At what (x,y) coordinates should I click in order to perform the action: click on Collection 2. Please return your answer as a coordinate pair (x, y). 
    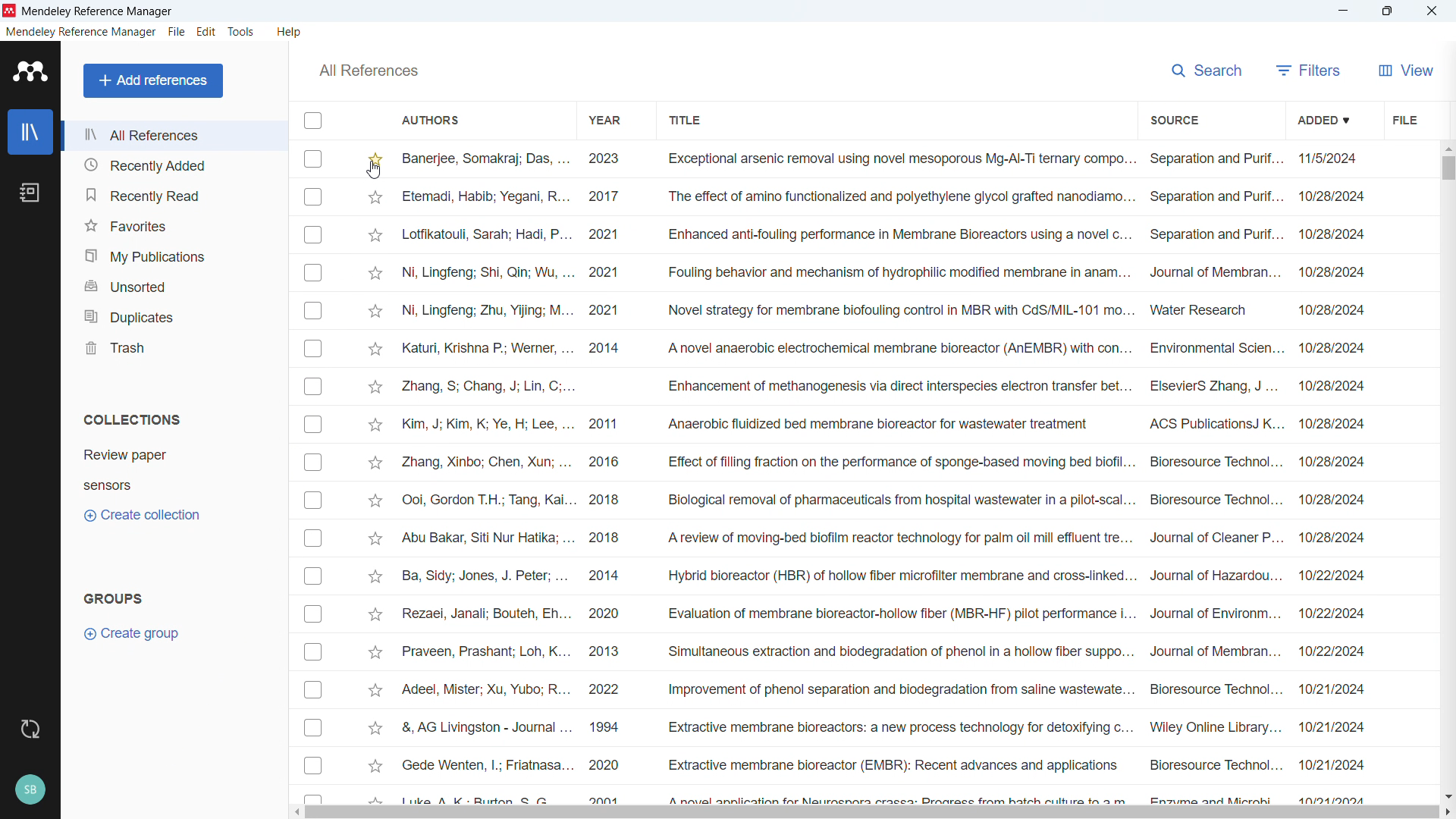
    Looking at the image, I should click on (107, 487).